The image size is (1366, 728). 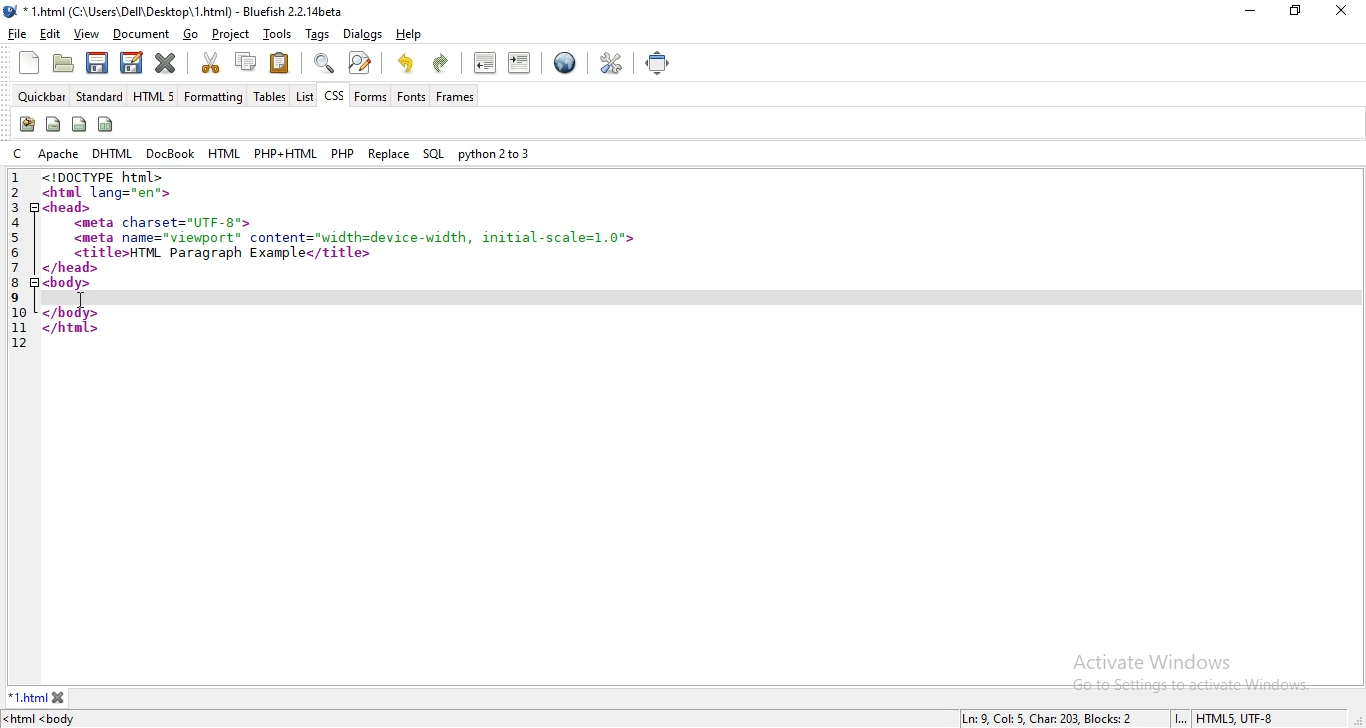 What do you see at coordinates (334, 95) in the screenshot?
I see `css` at bounding box center [334, 95].